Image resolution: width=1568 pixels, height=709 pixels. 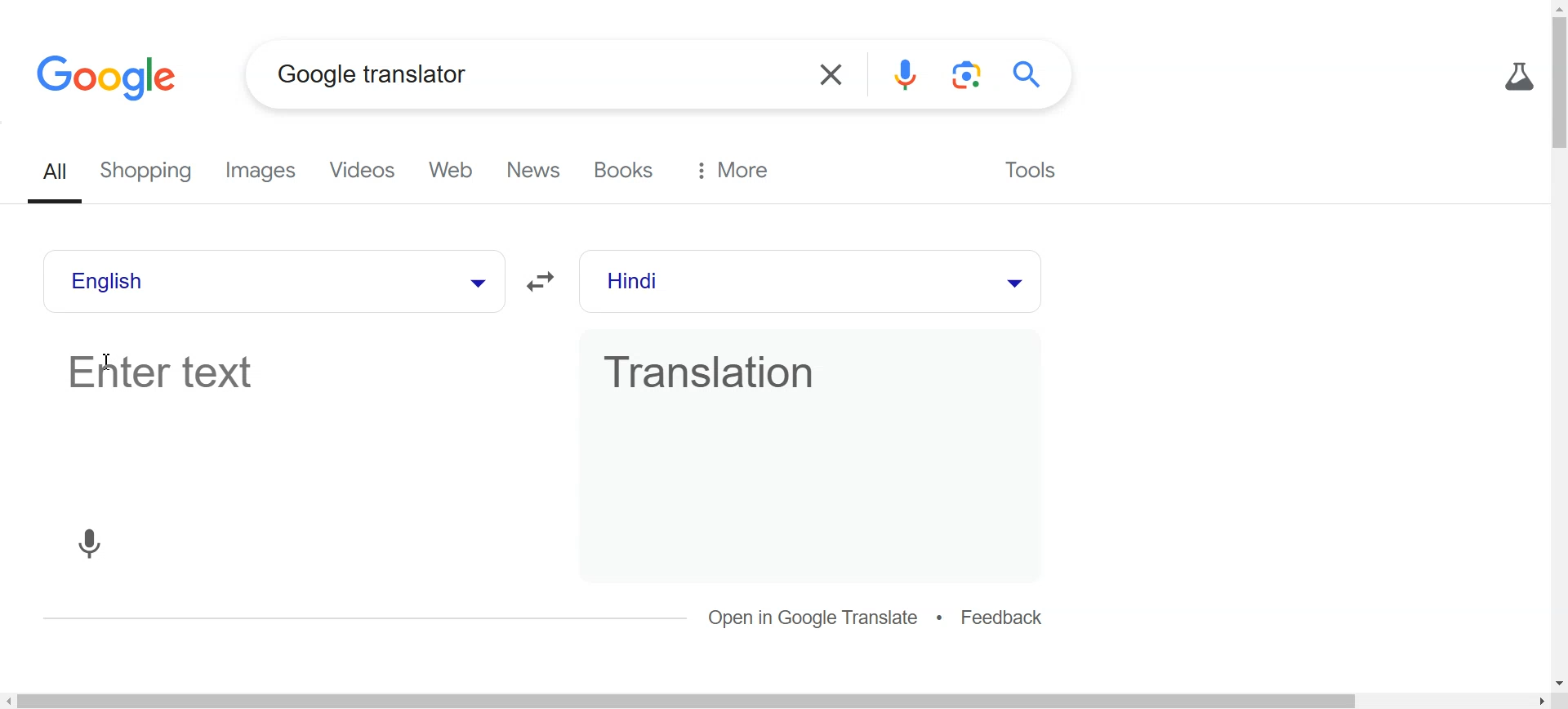 What do you see at coordinates (906, 75) in the screenshot?
I see `Search by voice` at bounding box center [906, 75].